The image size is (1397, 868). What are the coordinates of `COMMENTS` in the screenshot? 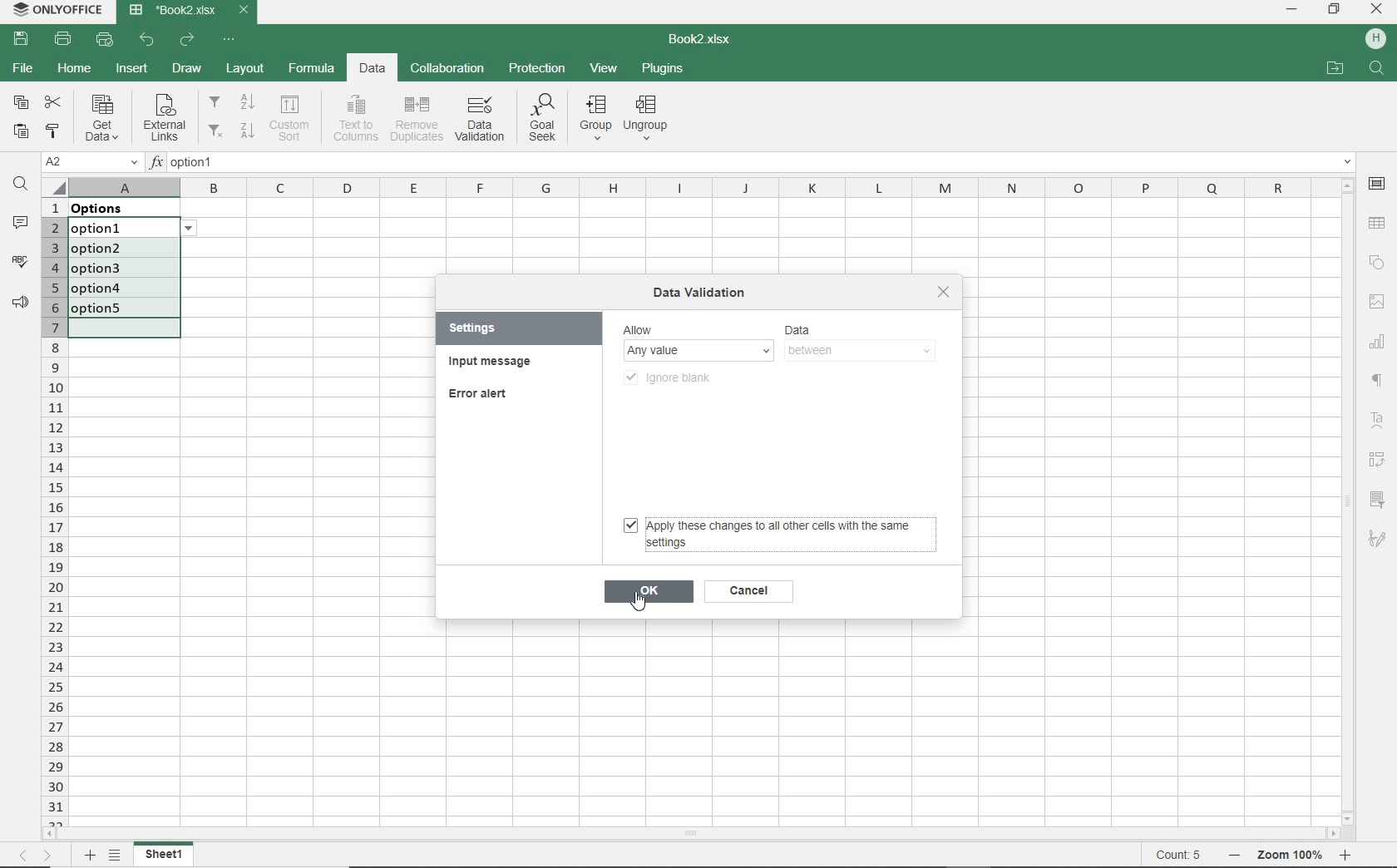 It's located at (21, 223).